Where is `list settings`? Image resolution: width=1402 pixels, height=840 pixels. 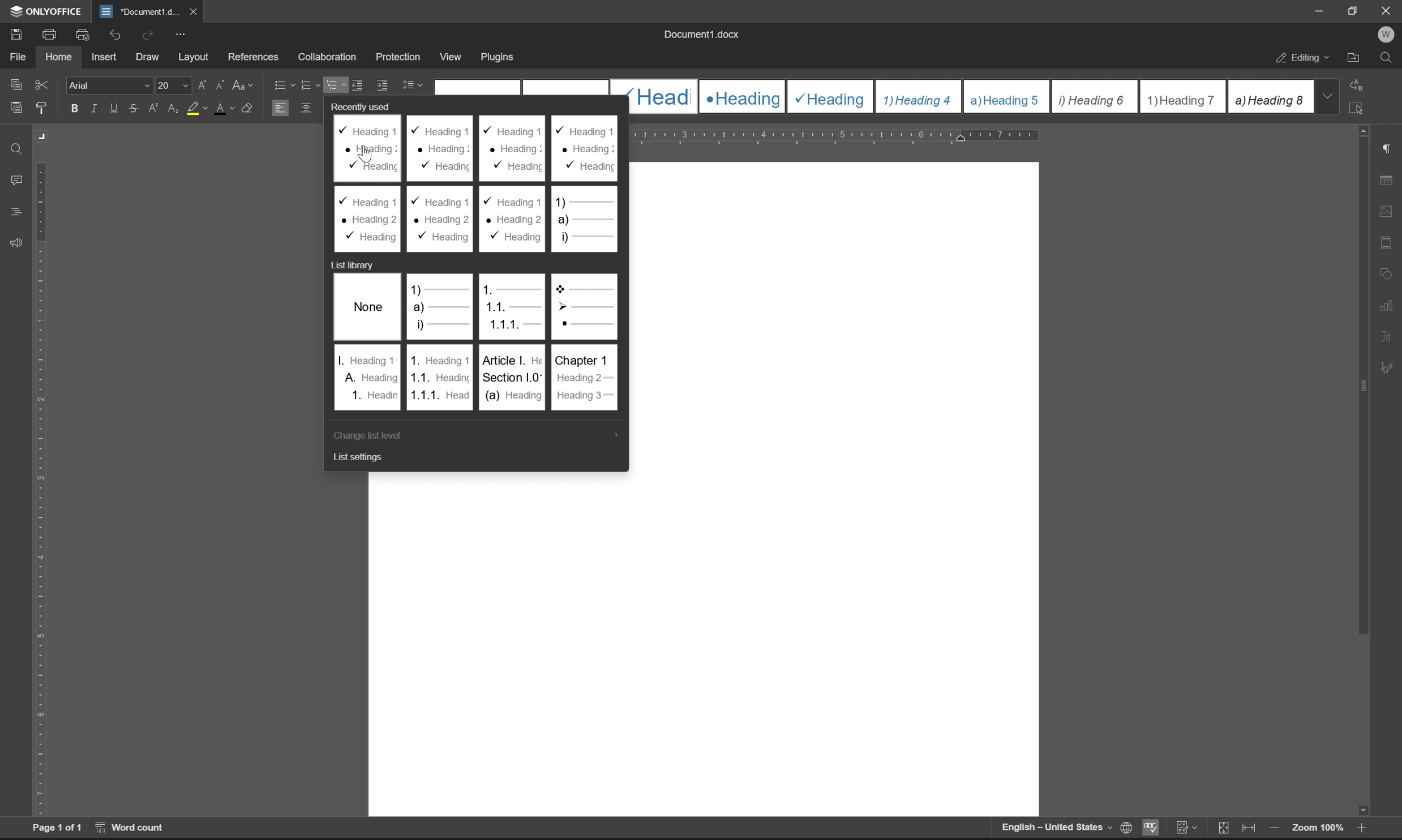
list settings is located at coordinates (361, 458).